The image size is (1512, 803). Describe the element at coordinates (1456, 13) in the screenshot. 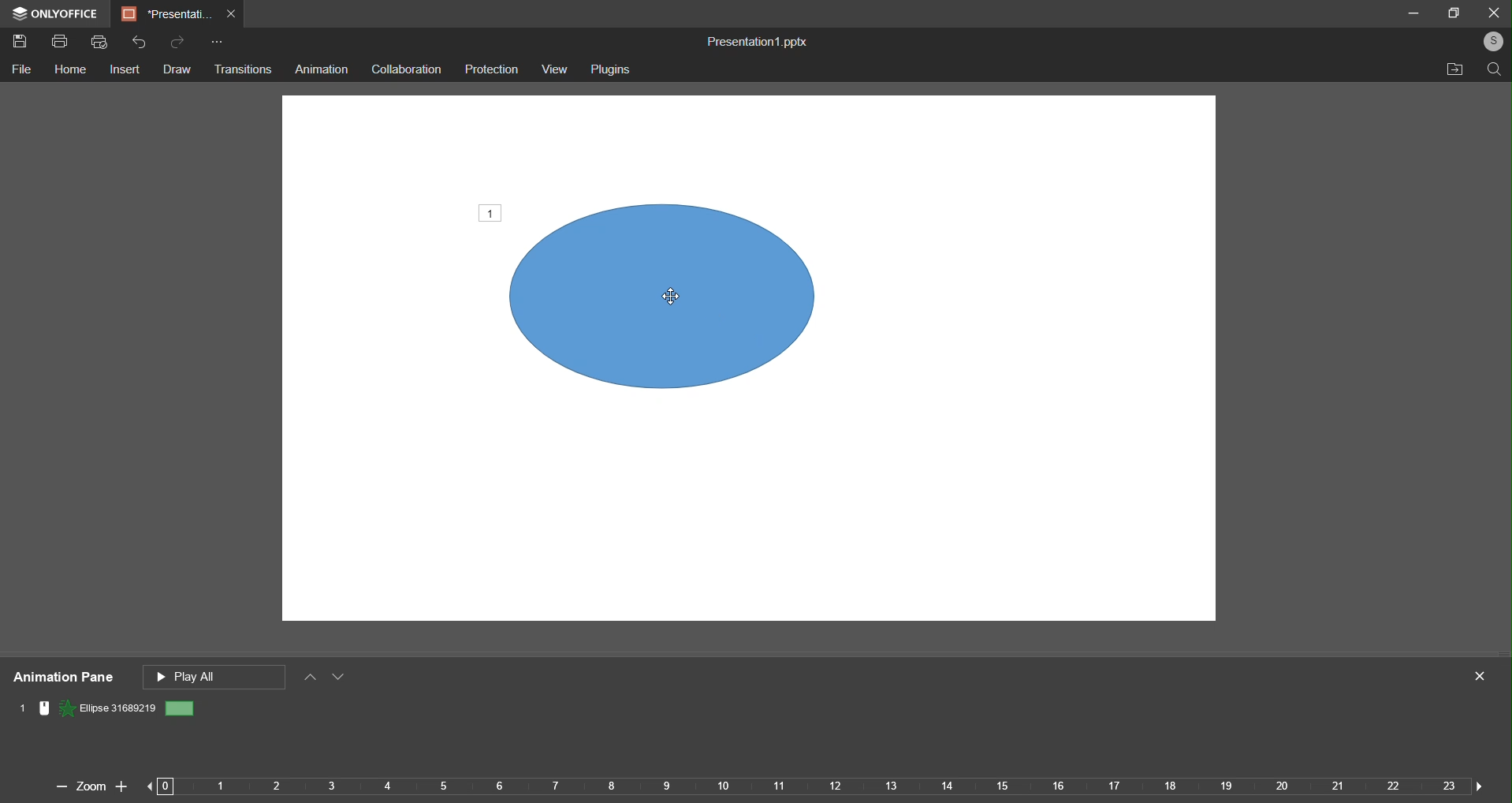

I see `maximize` at that location.